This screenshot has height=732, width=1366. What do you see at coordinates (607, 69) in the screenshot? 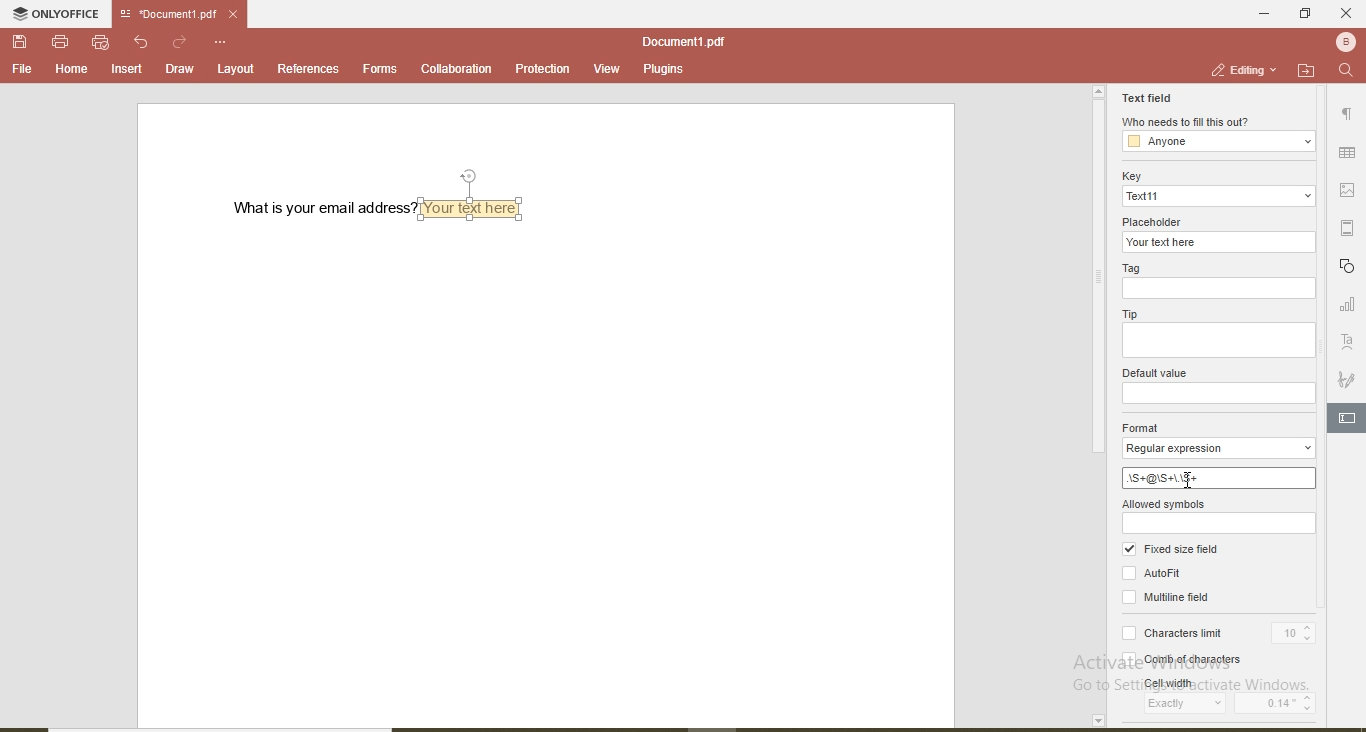
I see `view` at bounding box center [607, 69].